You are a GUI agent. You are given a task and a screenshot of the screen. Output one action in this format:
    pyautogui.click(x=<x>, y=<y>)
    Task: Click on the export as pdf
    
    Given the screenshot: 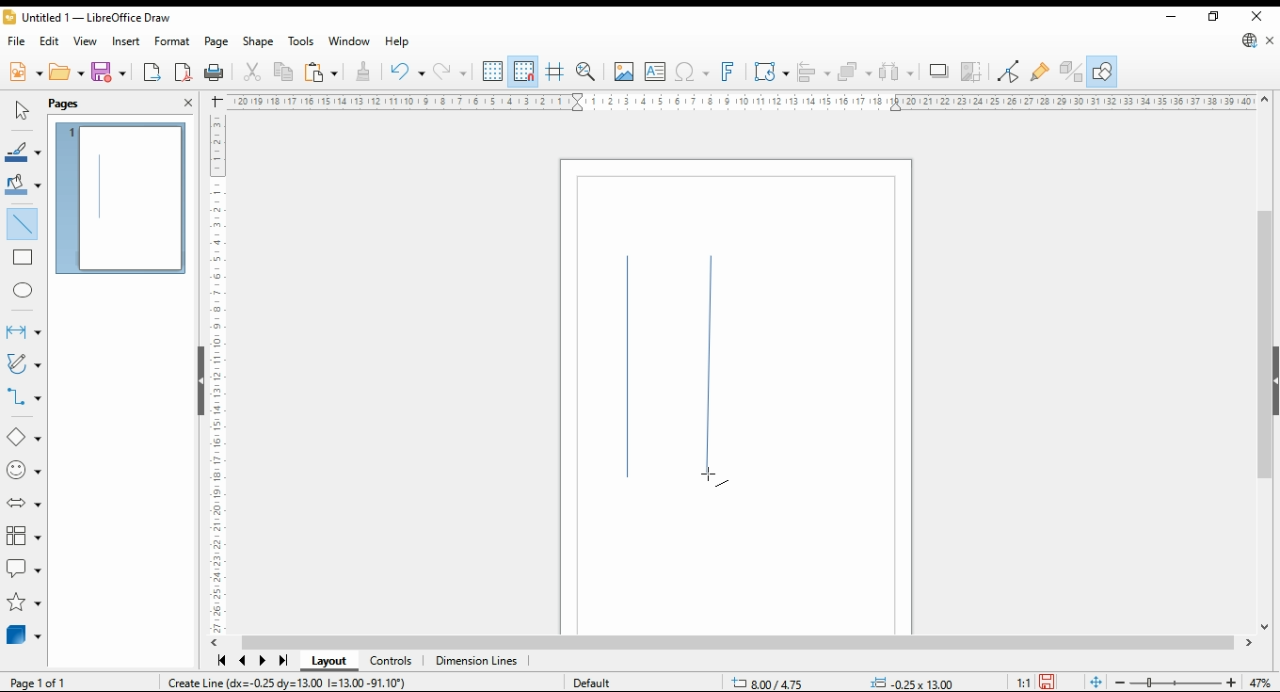 What is the action you would take?
    pyautogui.click(x=183, y=72)
    